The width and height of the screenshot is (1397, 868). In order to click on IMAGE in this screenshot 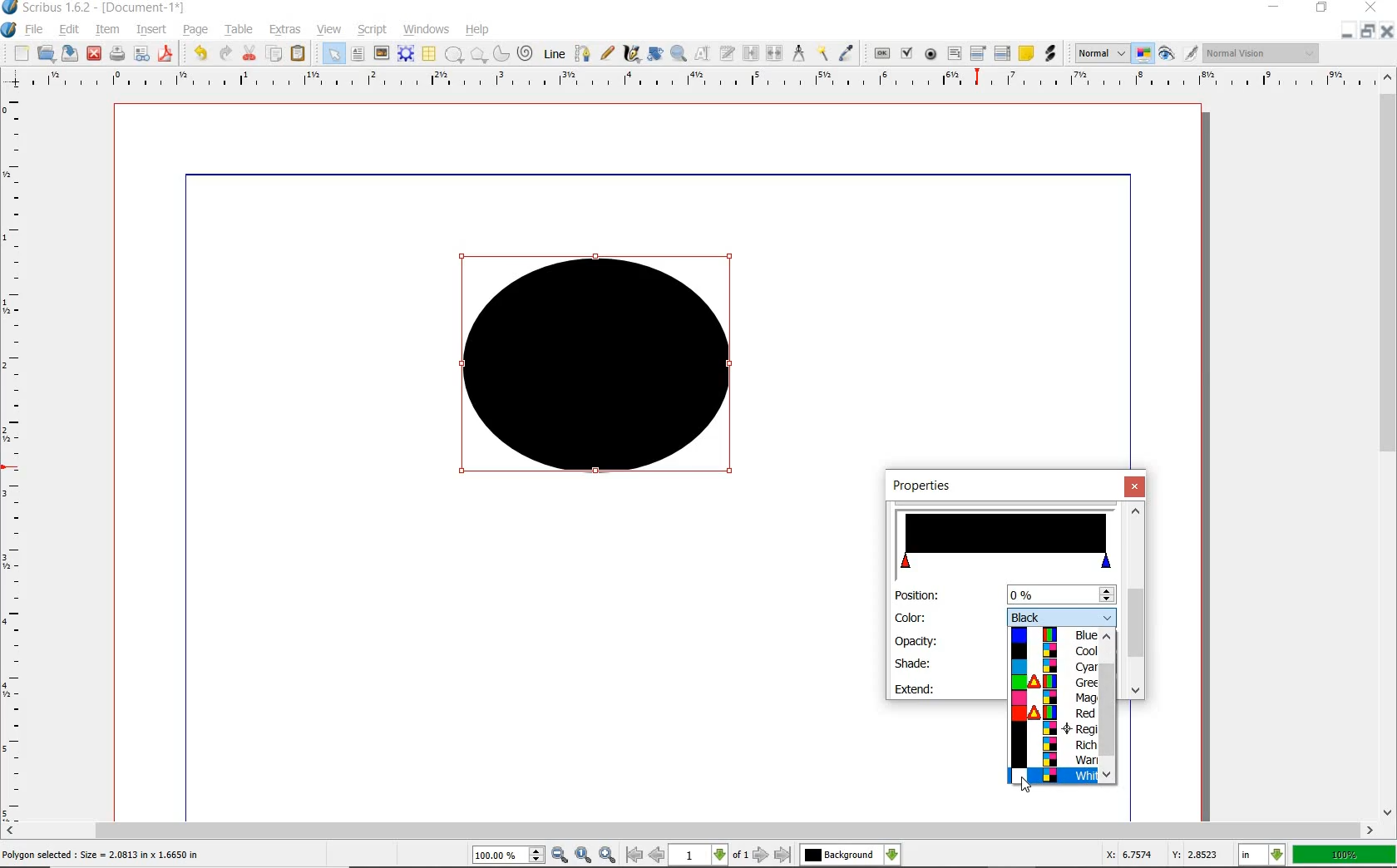, I will do `click(381, 52)`.